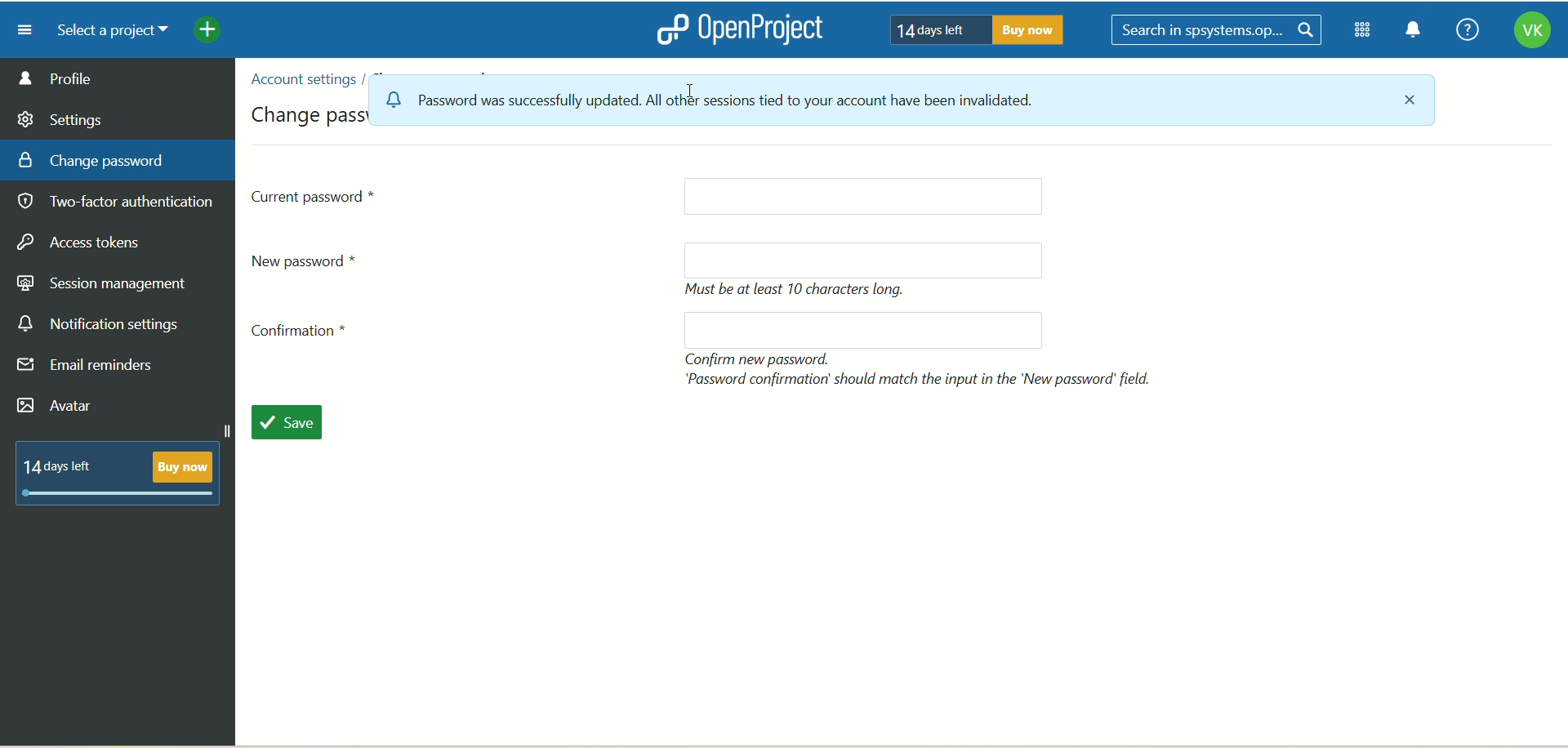  Describe the element at coordinates (19, 29) in the screenshot. I see `menu` at that location.